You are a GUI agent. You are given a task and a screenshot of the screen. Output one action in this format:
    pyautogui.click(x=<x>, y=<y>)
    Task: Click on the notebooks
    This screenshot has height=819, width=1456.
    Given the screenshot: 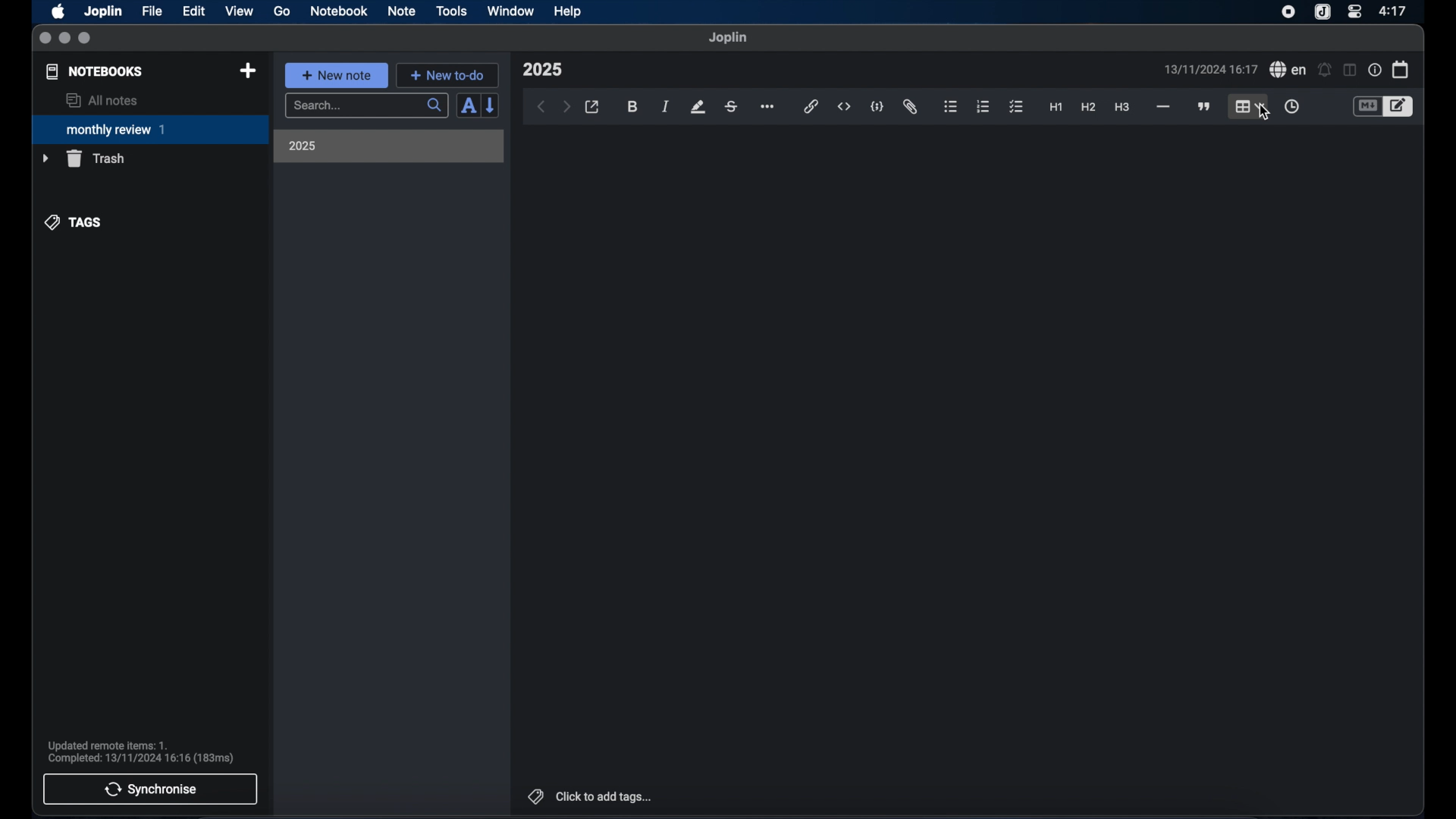 What is the action you would take?
    pyautogui.click(x=95, y=71)
    